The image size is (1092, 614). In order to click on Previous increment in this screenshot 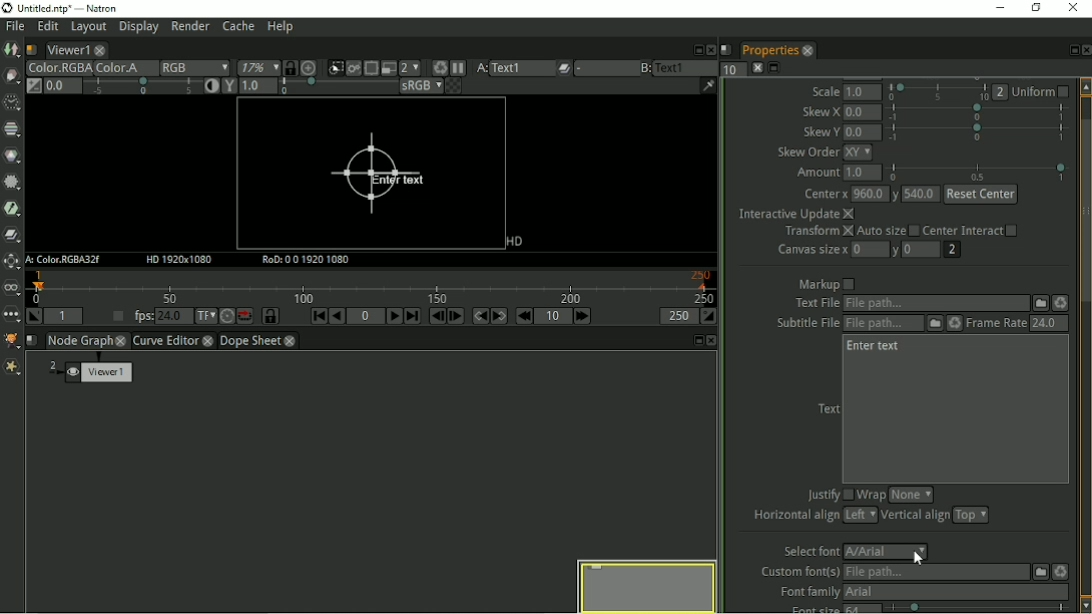, I will do `click(524, 316)`.